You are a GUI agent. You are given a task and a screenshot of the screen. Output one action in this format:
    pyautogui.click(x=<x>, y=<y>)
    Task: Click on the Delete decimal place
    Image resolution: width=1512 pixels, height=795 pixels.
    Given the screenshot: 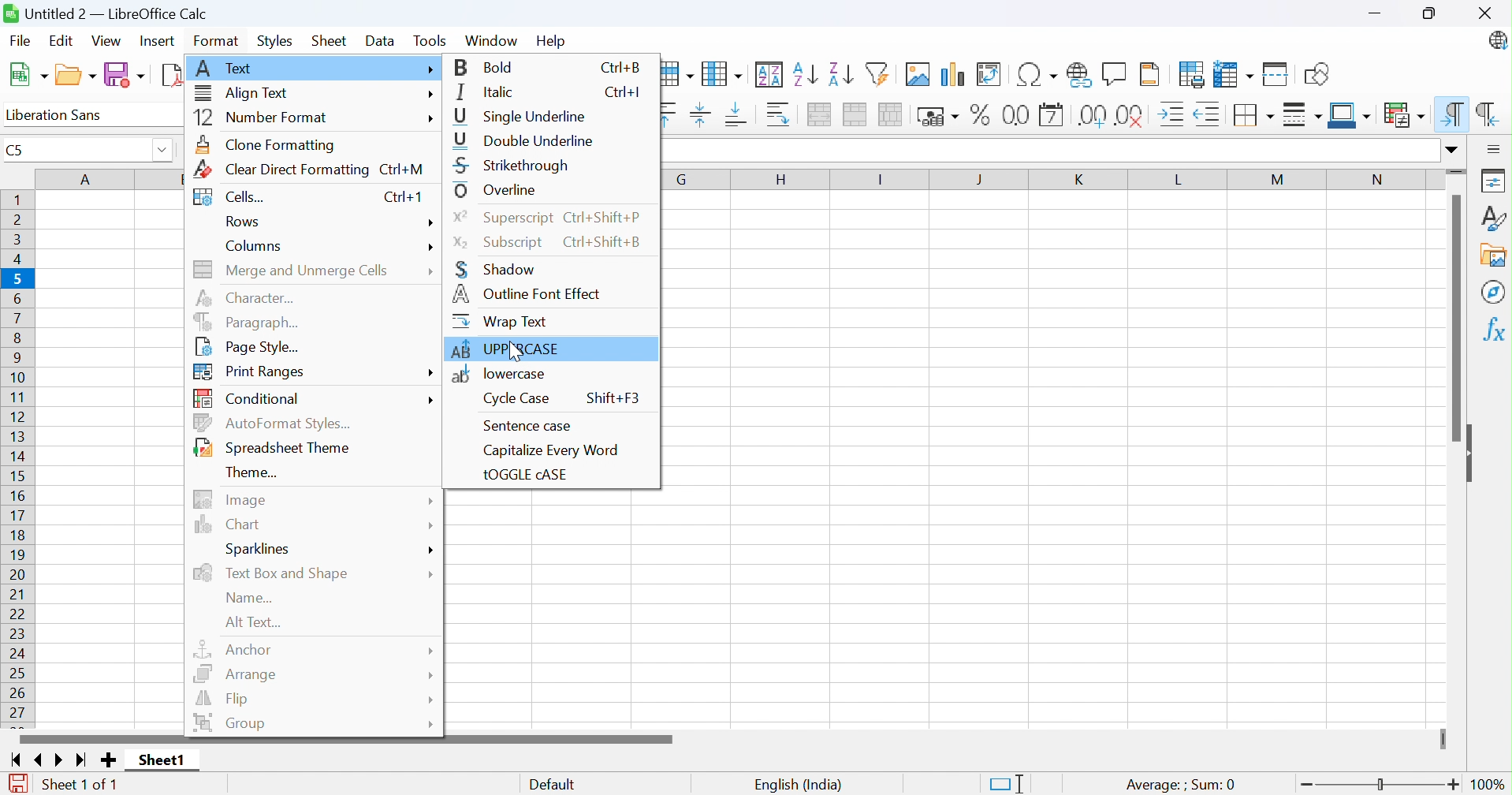 What is the action you would take?
    pyautogui.click(x=1131, y=118)
    